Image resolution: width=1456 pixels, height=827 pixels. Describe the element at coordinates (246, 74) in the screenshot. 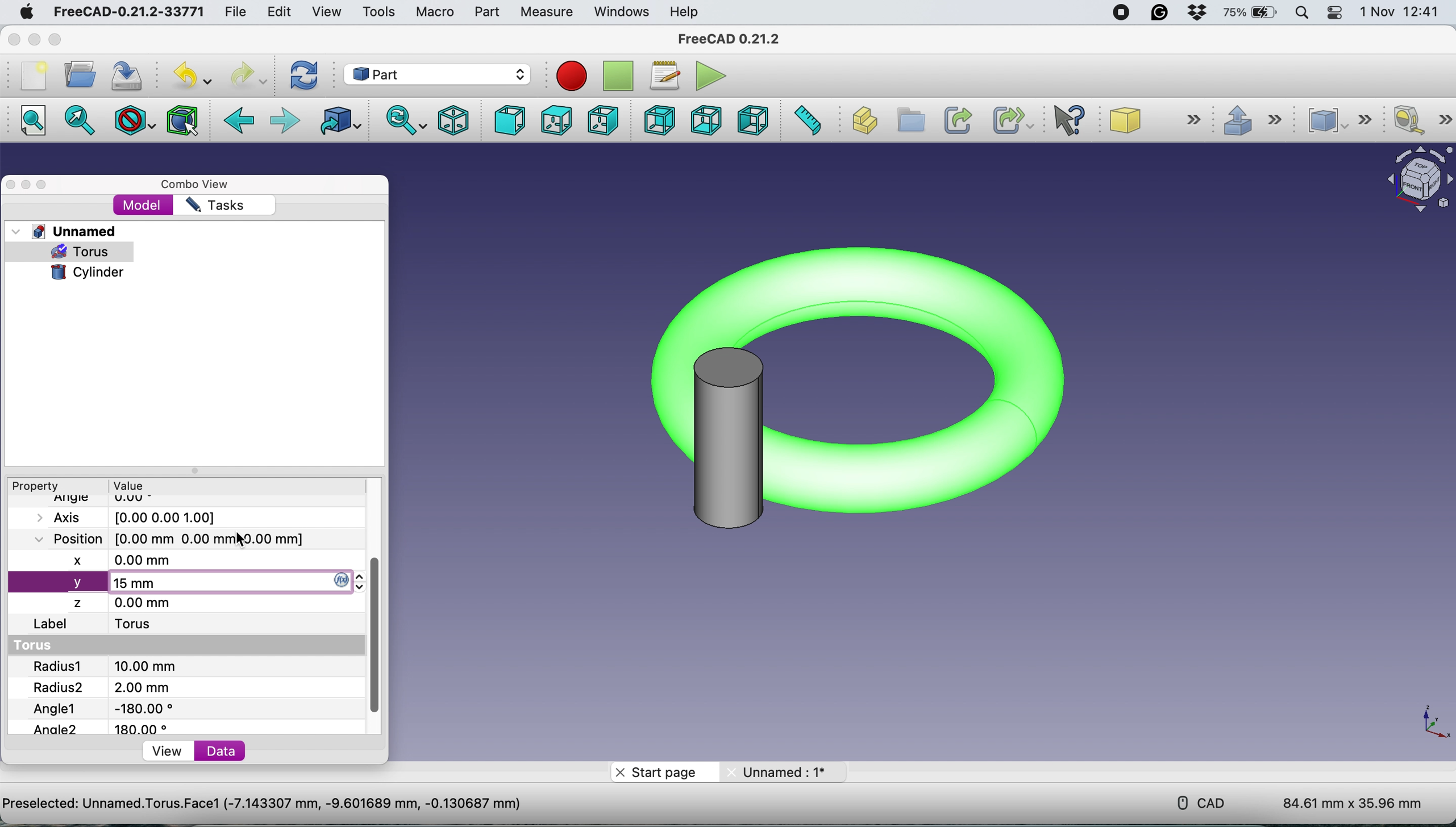

I see `redo` at that location.